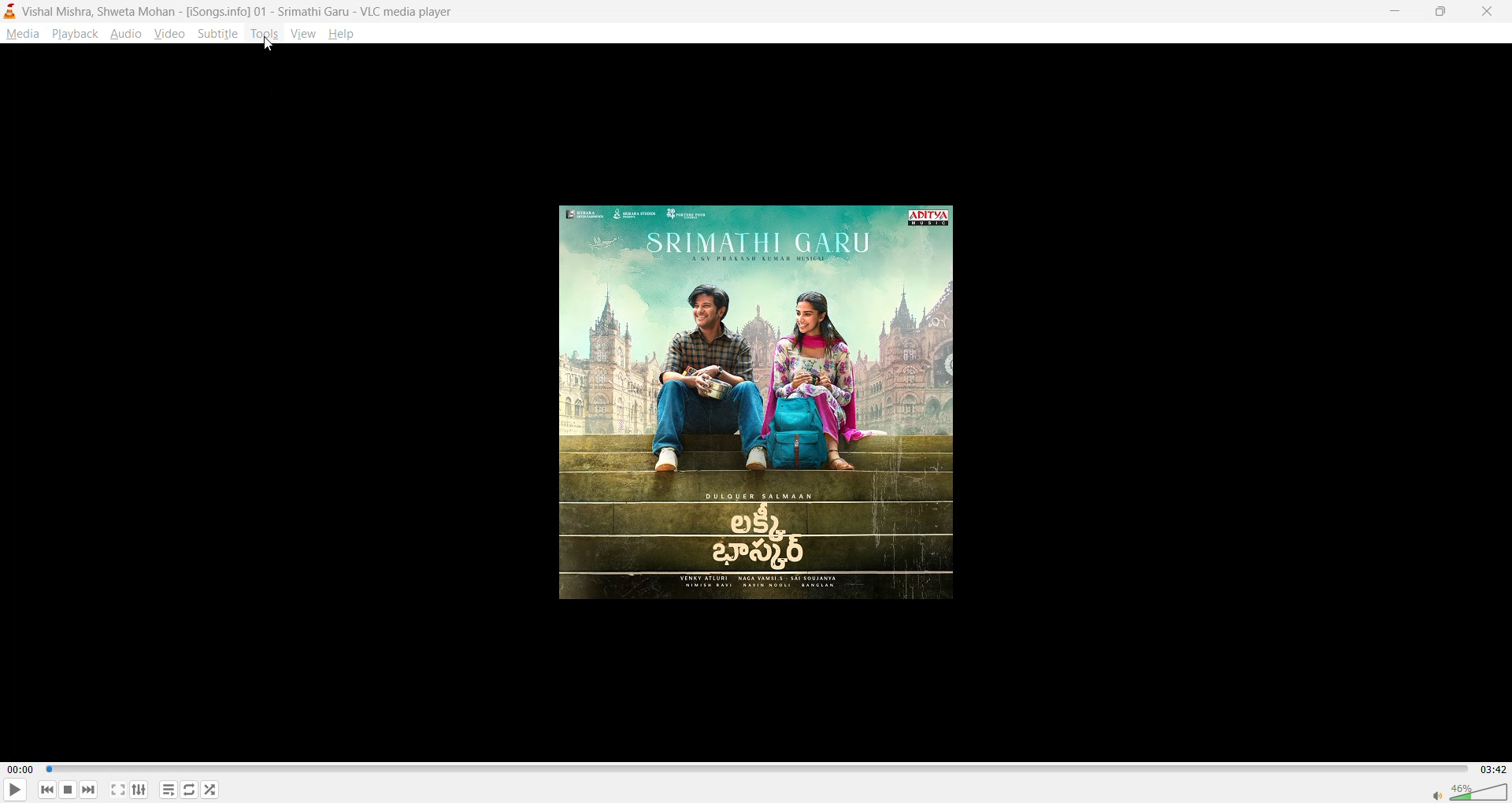 Image resolution: width=1512 pixels, height=803 pixels. Describe the element at coordinates (1482, 12) in the screenshot. I see `close` at that location.